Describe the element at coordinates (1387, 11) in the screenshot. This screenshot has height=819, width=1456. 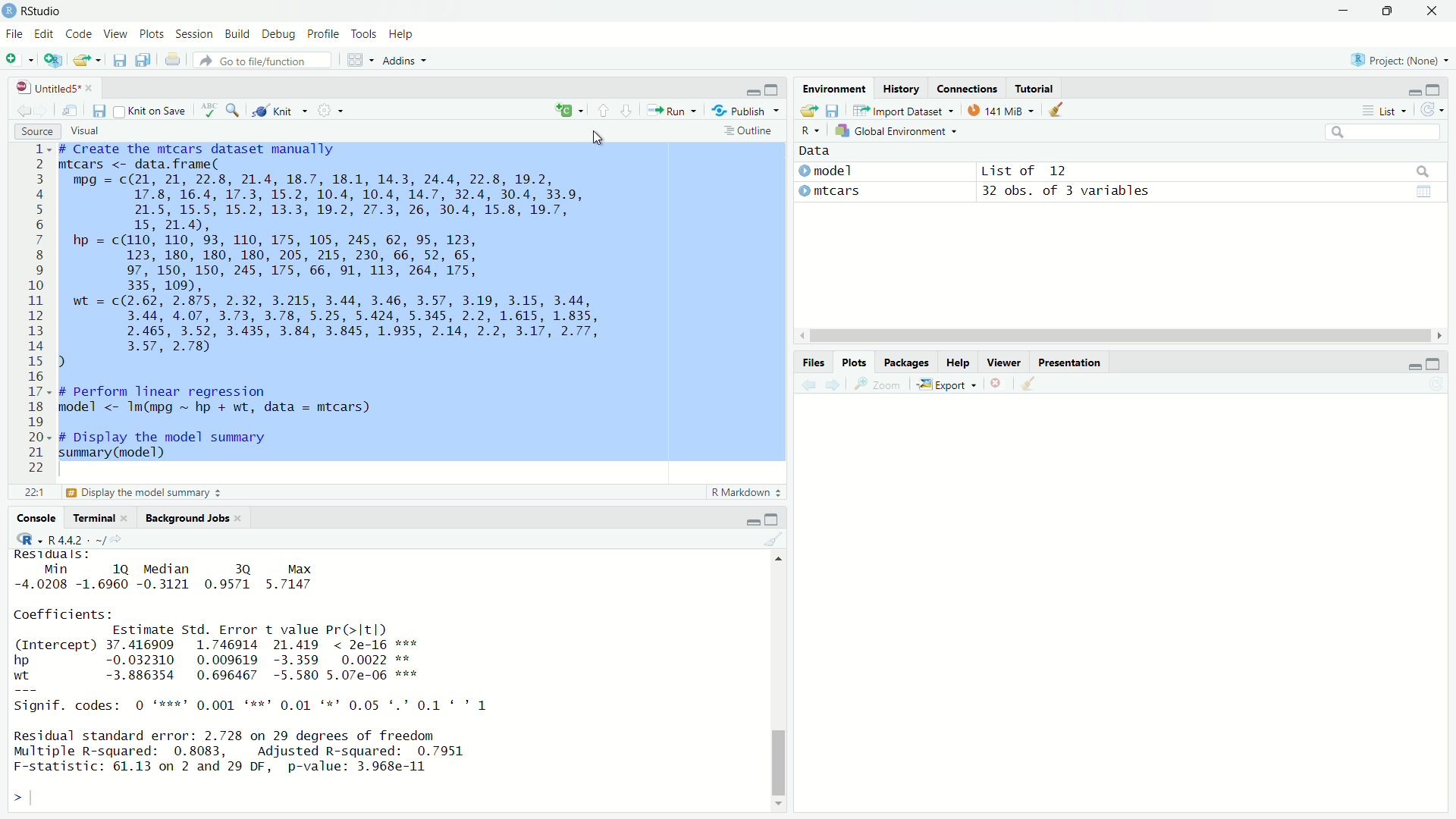
I see `maximize` at that location.